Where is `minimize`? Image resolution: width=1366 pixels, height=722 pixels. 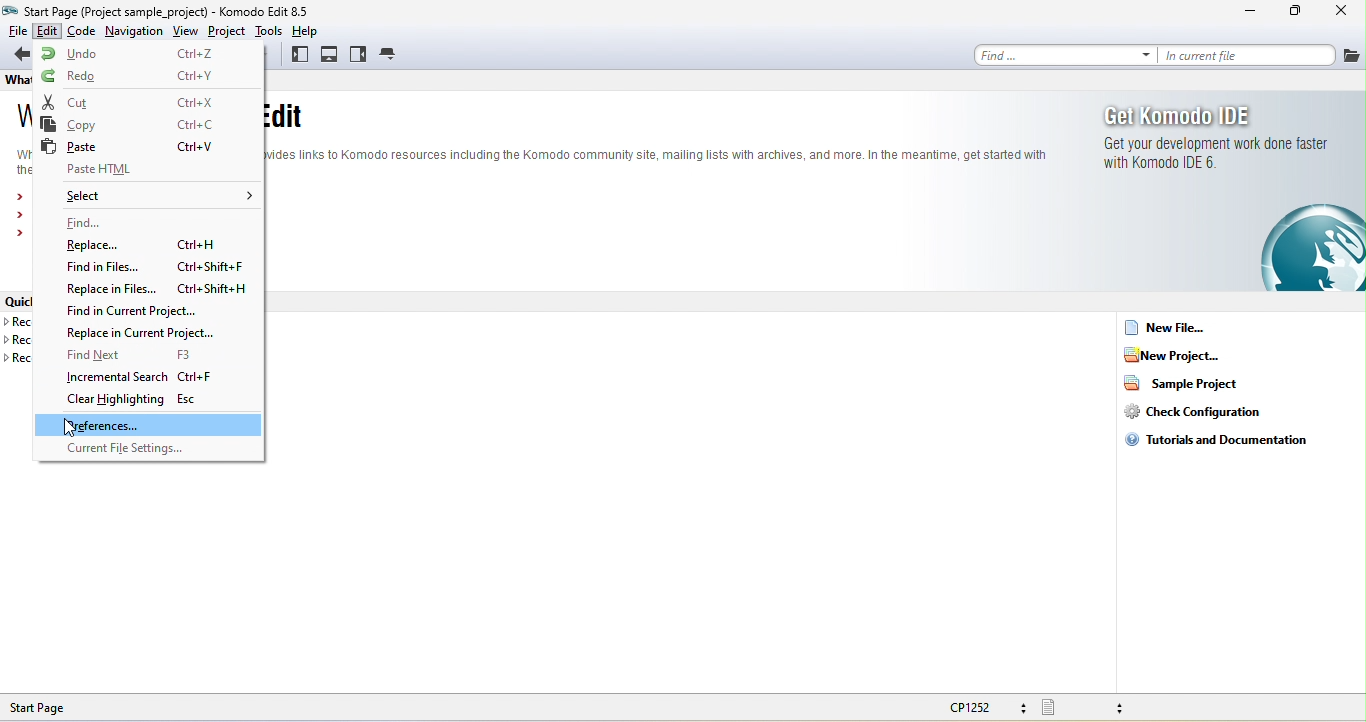 minimize is located at coordinates (1250, 12).